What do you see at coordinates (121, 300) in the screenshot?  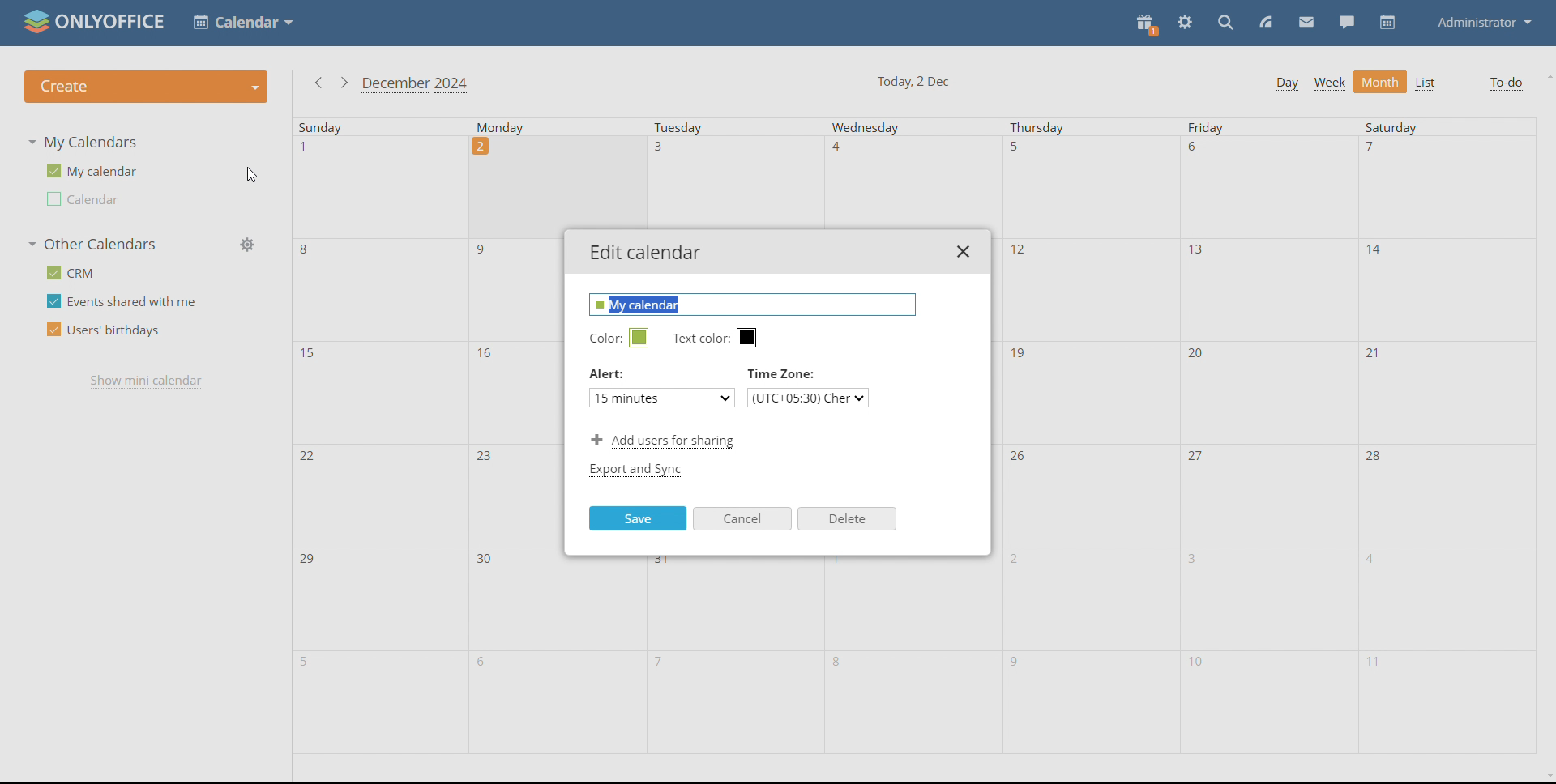 I see `events shared with me` at bounding box center [121, 300].